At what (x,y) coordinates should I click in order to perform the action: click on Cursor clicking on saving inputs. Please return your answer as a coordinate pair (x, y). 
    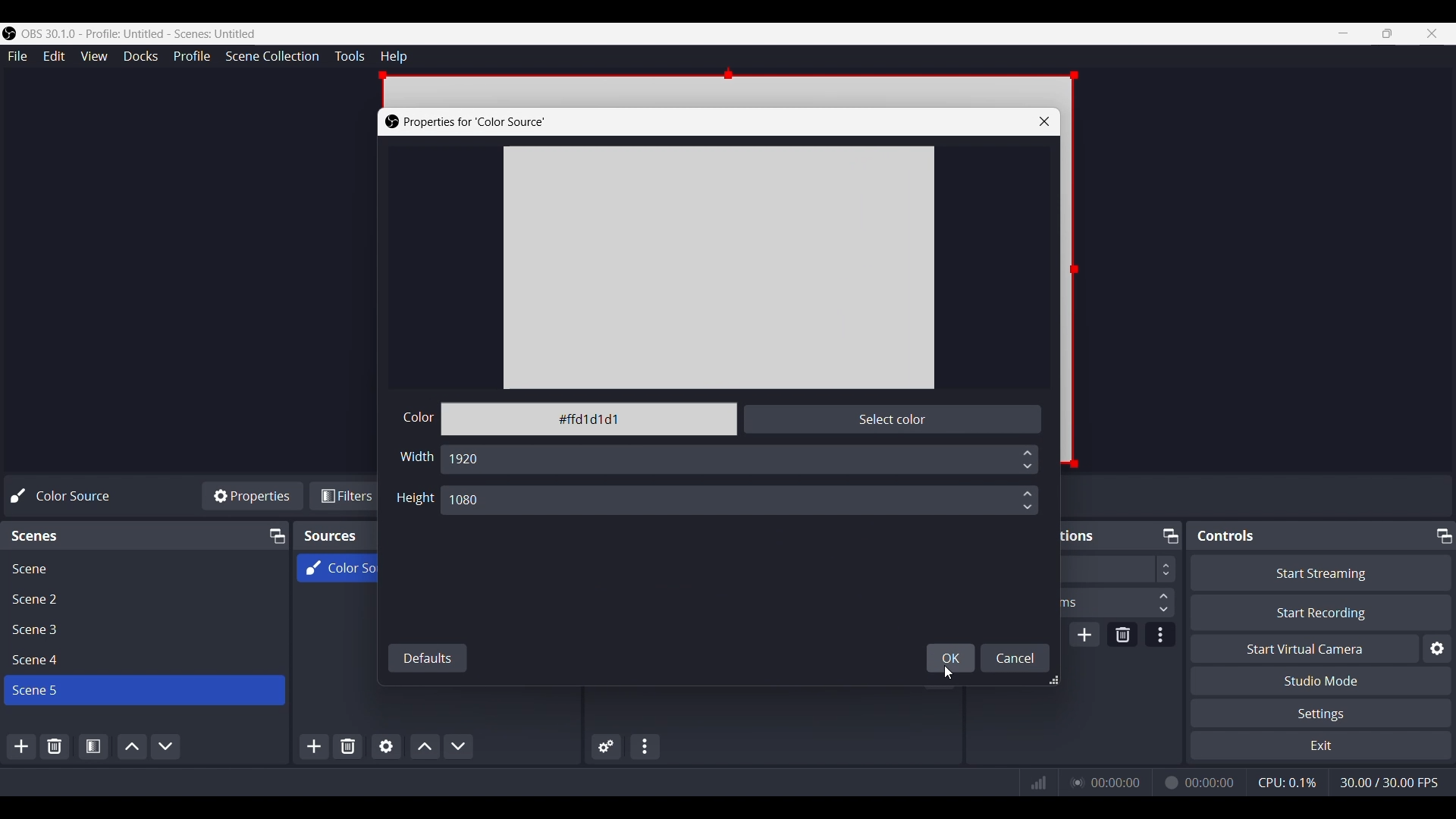
    Looking at the image, I should click on (948, 673).